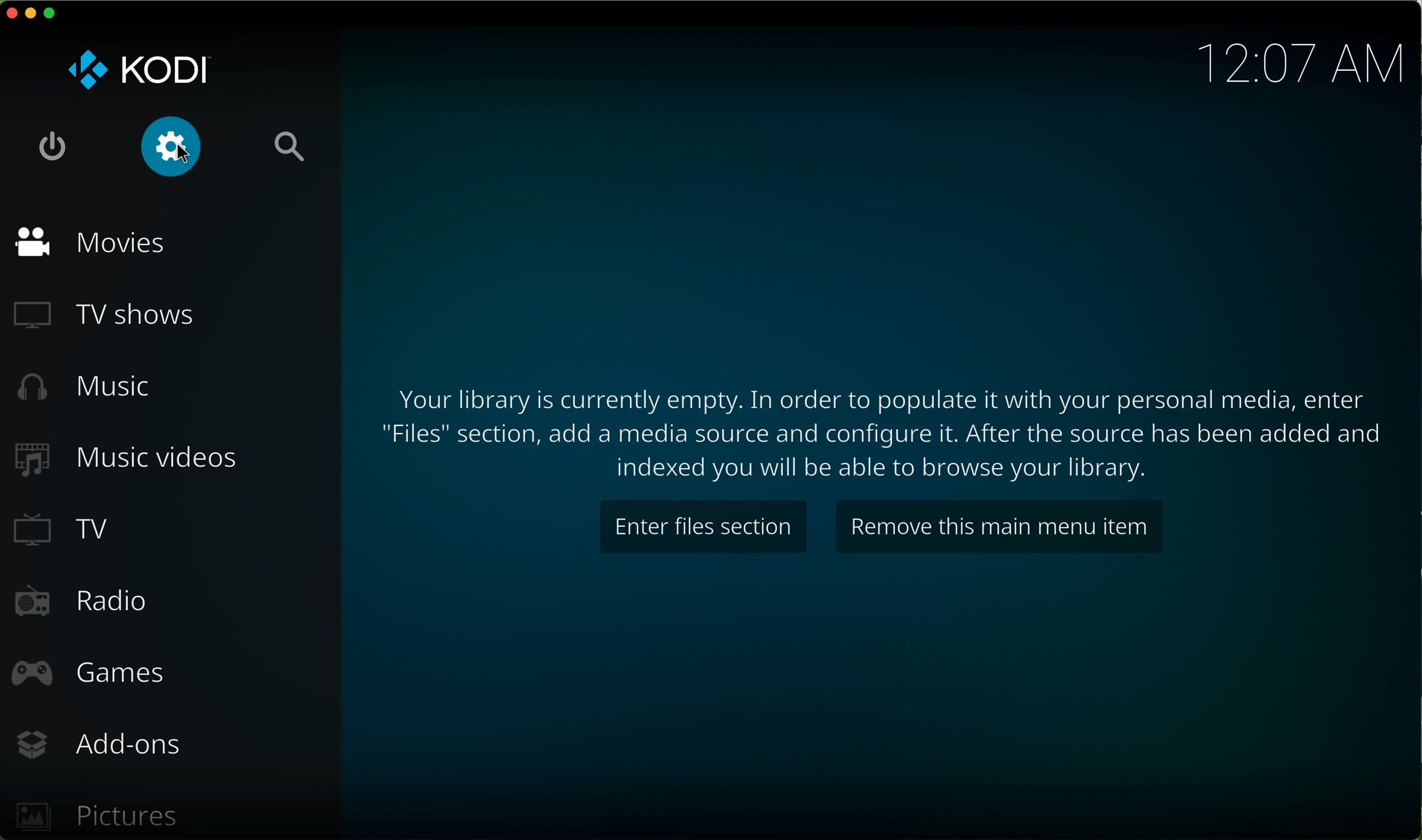 The height and width of the screenshot is (840, 1422). I want to click on movies, so click(96, 243).